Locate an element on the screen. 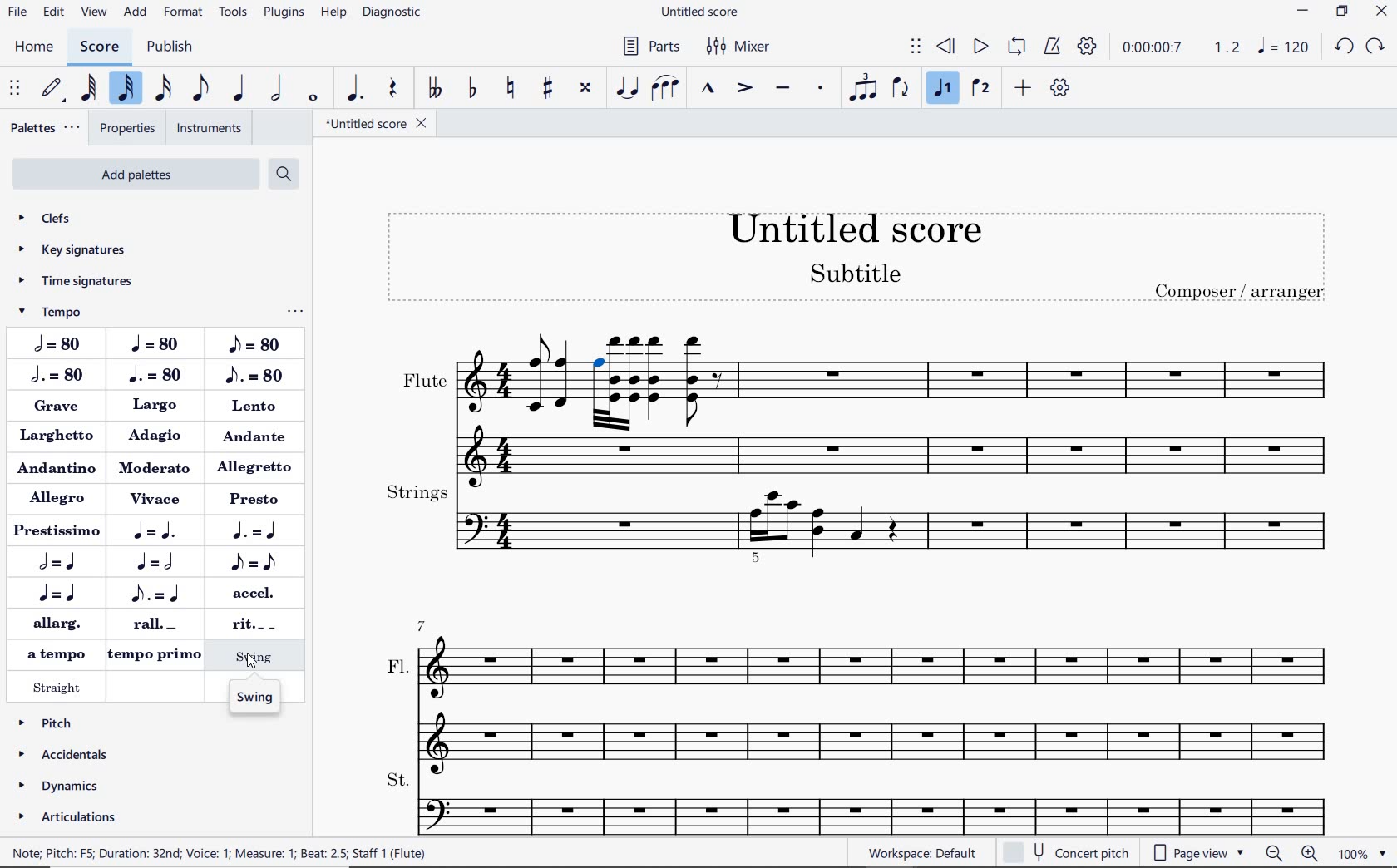  TUPLET is located at coordinates (865, 89).